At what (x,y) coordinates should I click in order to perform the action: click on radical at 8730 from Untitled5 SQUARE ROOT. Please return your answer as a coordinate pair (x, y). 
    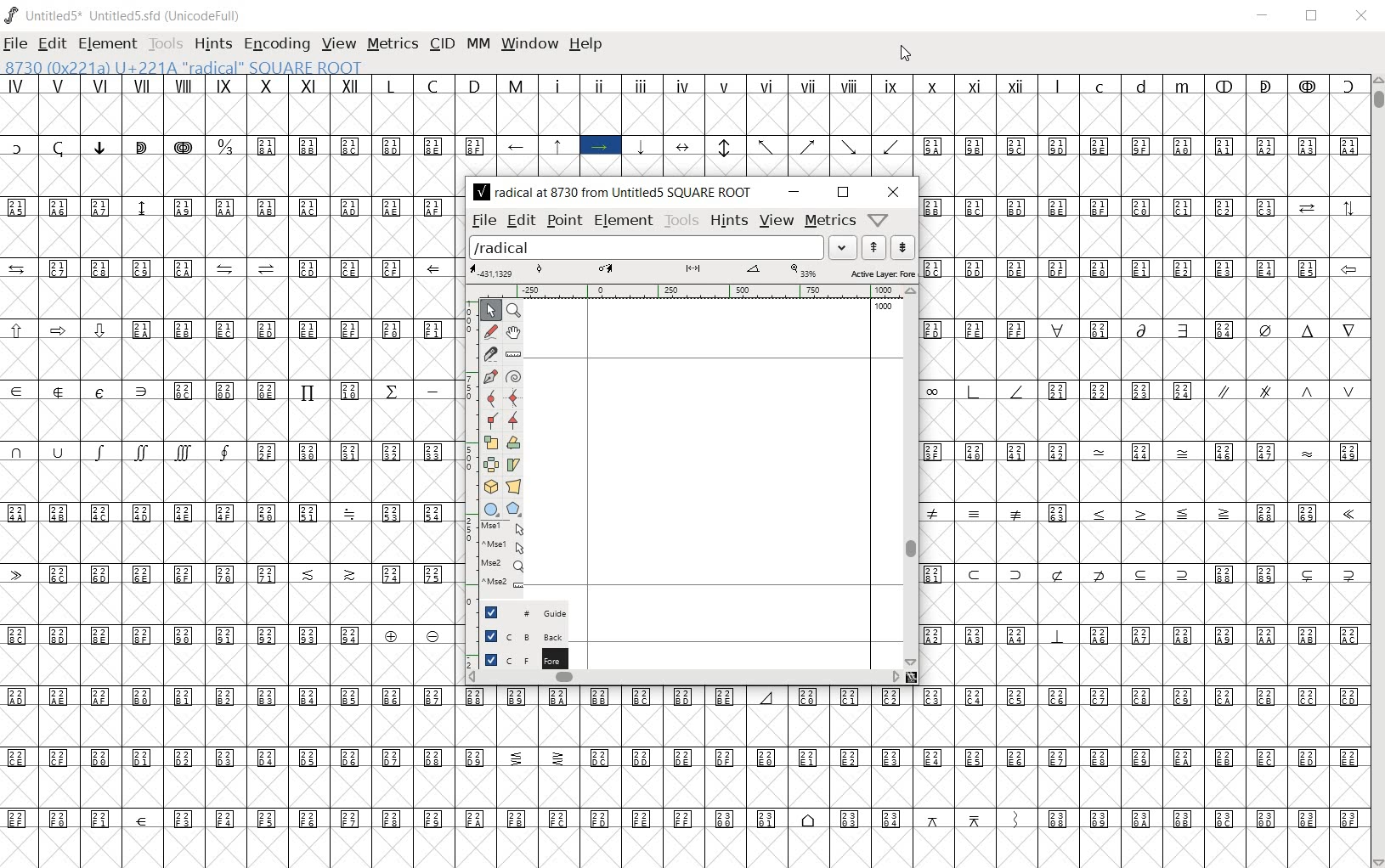
    Looking at the image, I should click on (612, 194).